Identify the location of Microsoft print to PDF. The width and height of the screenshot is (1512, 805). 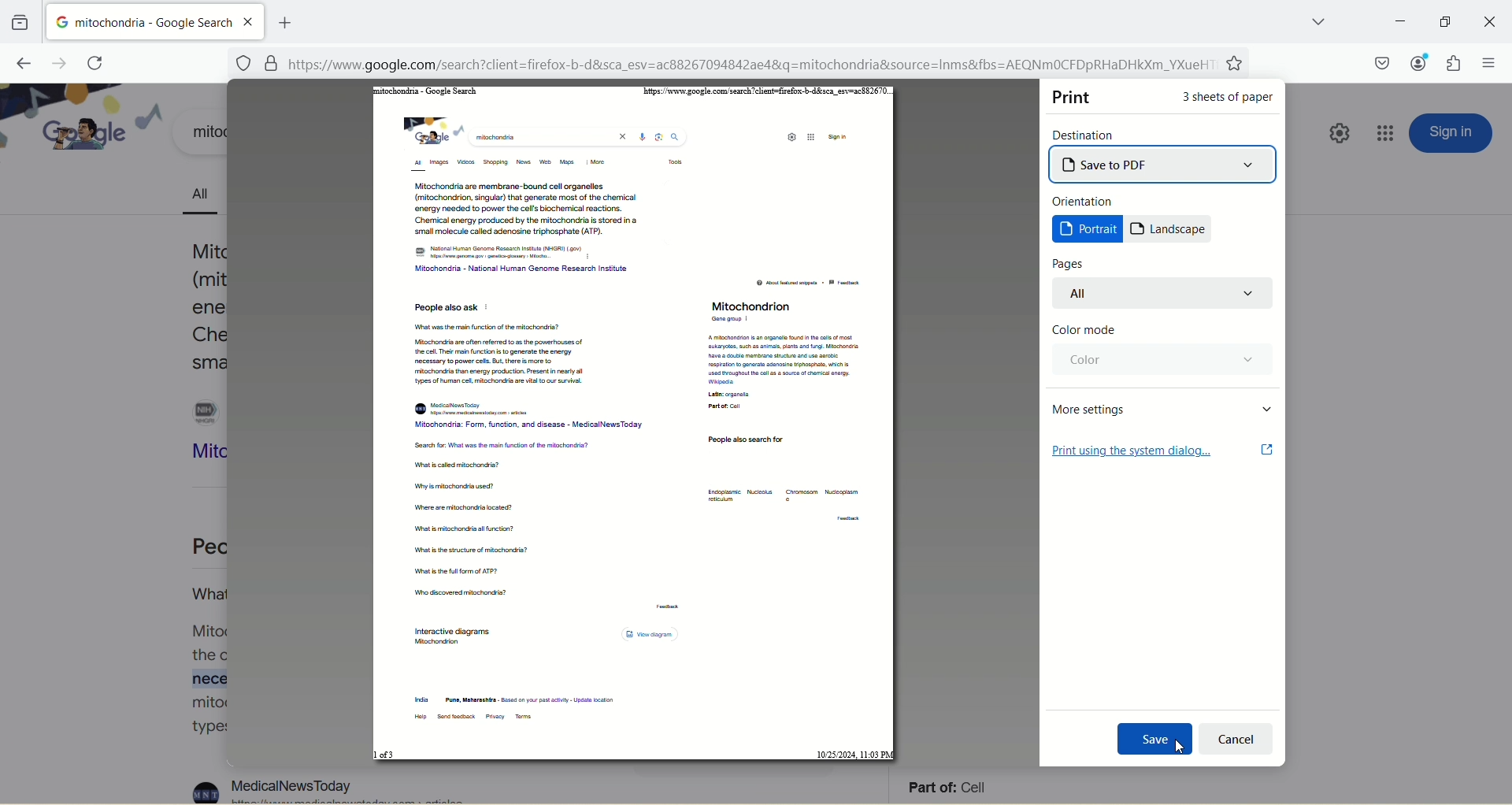
(1164, 164).